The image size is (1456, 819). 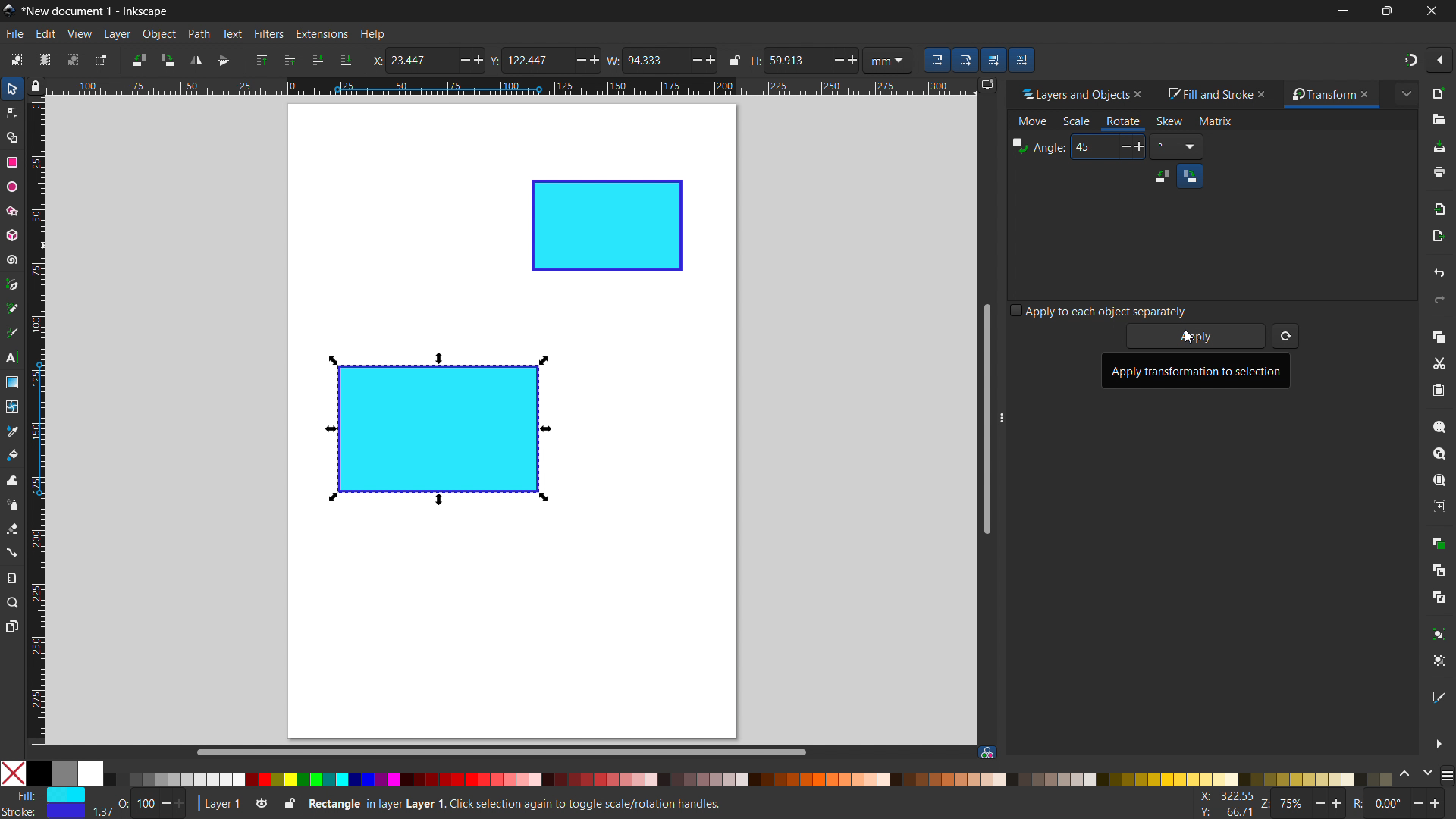 I want to click on Degree, so click(x=1177, y=146).